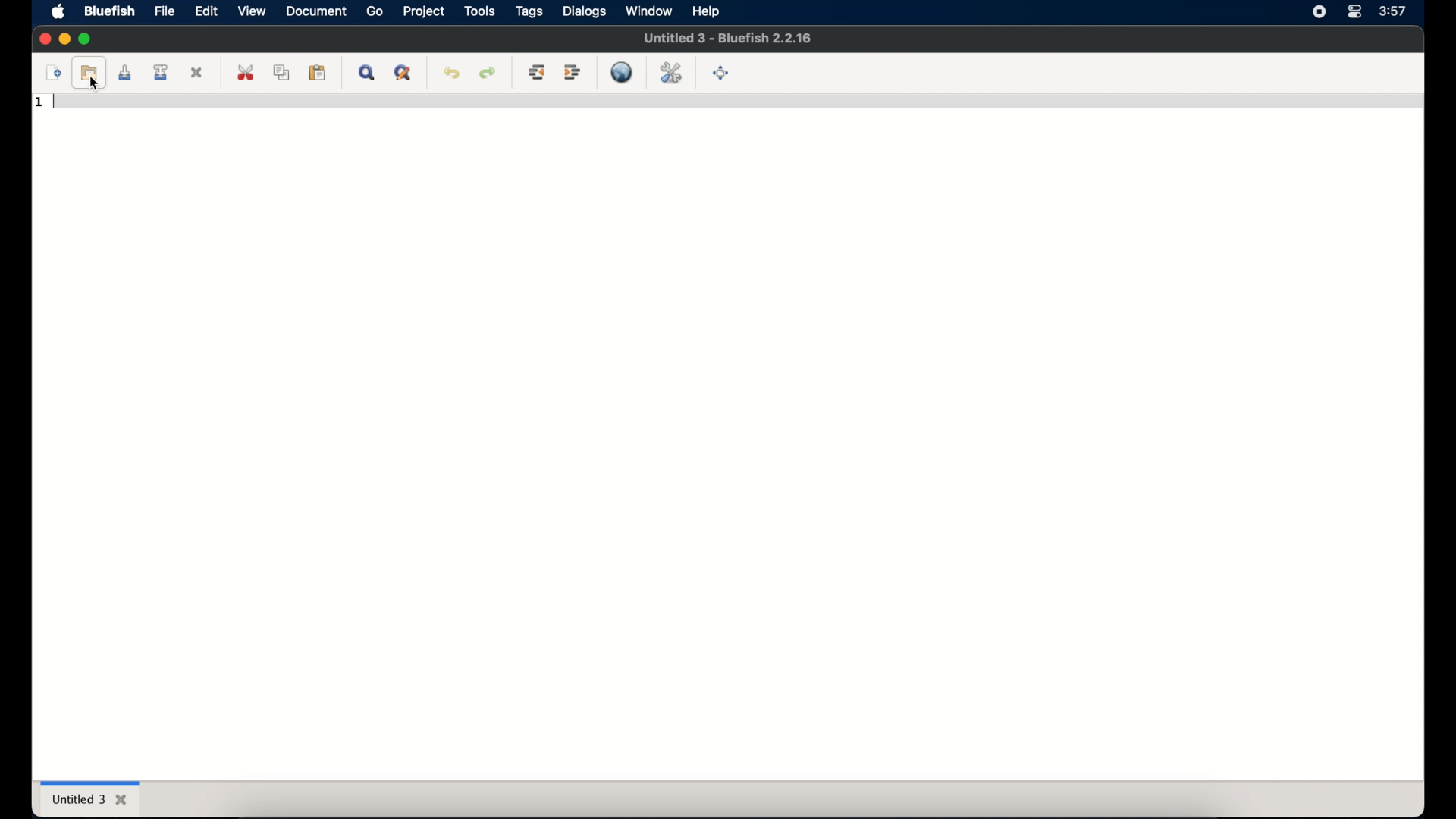 This screenshot has width=1456, height=819. What do you see at coordinates (206, 12) in the screenshot?
I see `edit` at bounding box center [206, 12].